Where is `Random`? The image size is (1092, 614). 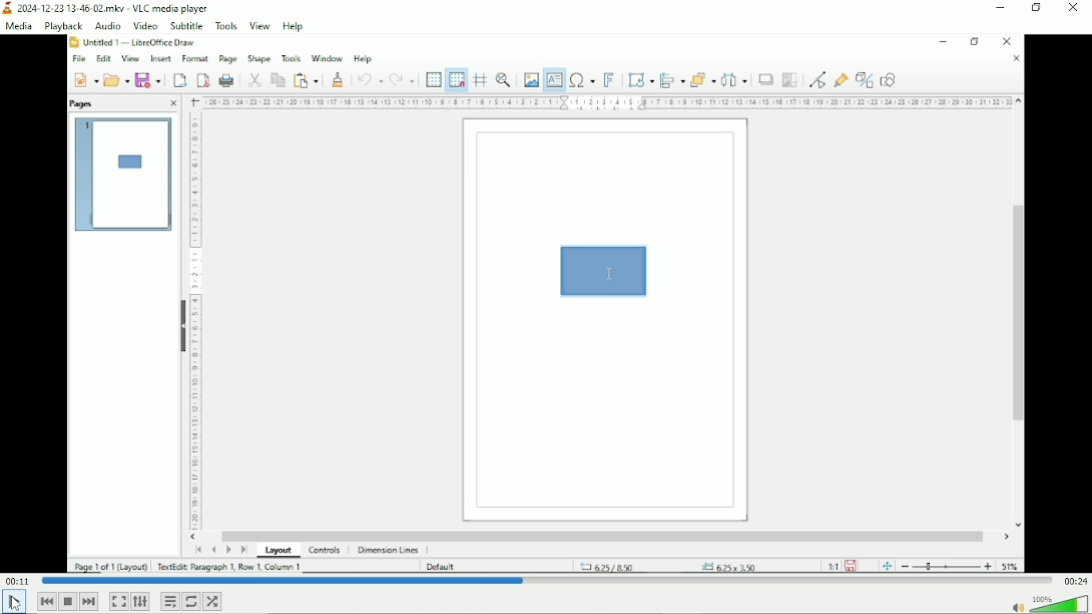 Random is located at coordinates (213, 601).